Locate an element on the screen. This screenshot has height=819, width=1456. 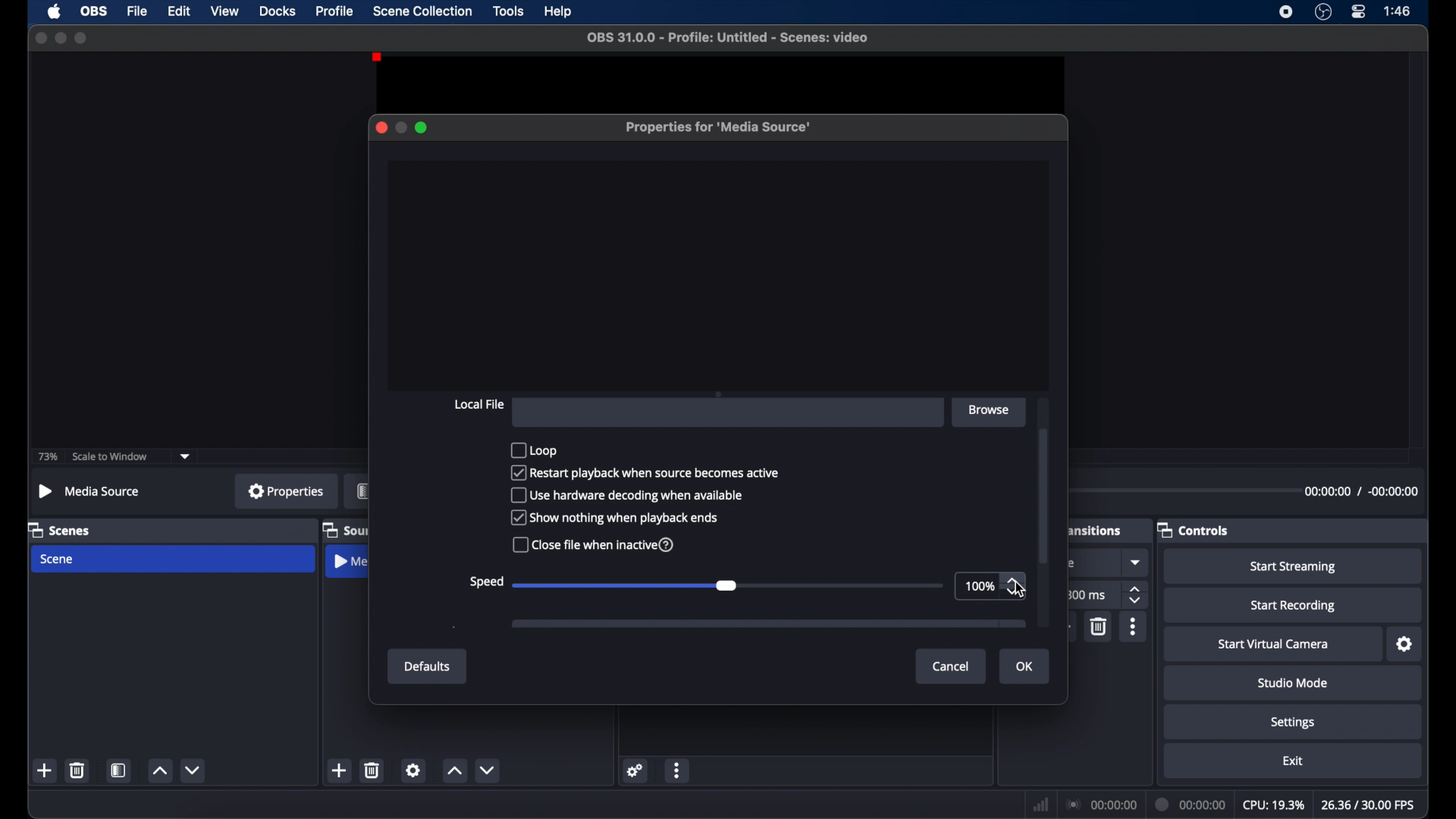
maximize is located at coordinates (82, 38).